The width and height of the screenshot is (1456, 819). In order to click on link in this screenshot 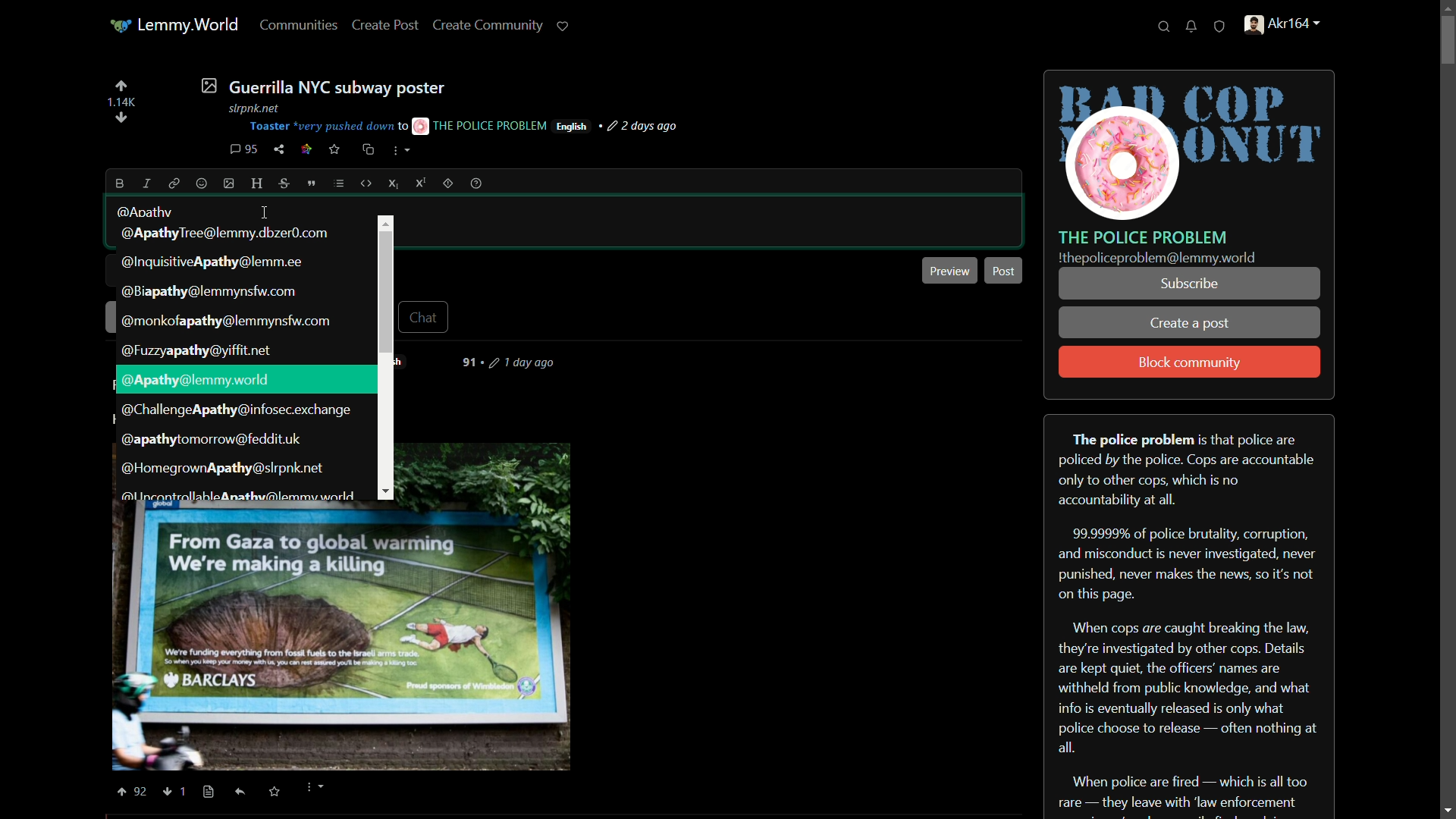, I will do `click(306, 151)`.